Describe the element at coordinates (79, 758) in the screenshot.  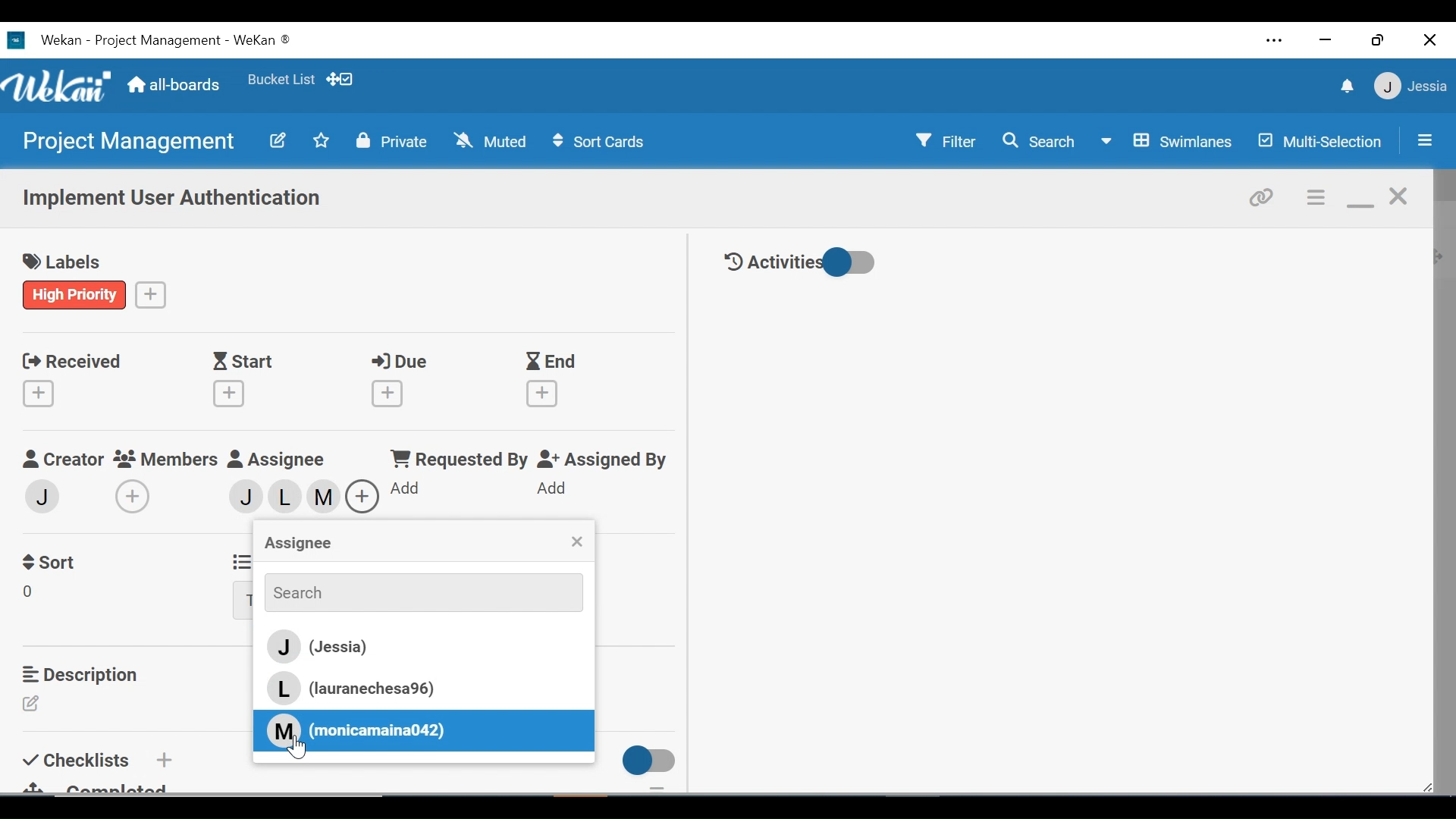
I see `Checklists` at that location.